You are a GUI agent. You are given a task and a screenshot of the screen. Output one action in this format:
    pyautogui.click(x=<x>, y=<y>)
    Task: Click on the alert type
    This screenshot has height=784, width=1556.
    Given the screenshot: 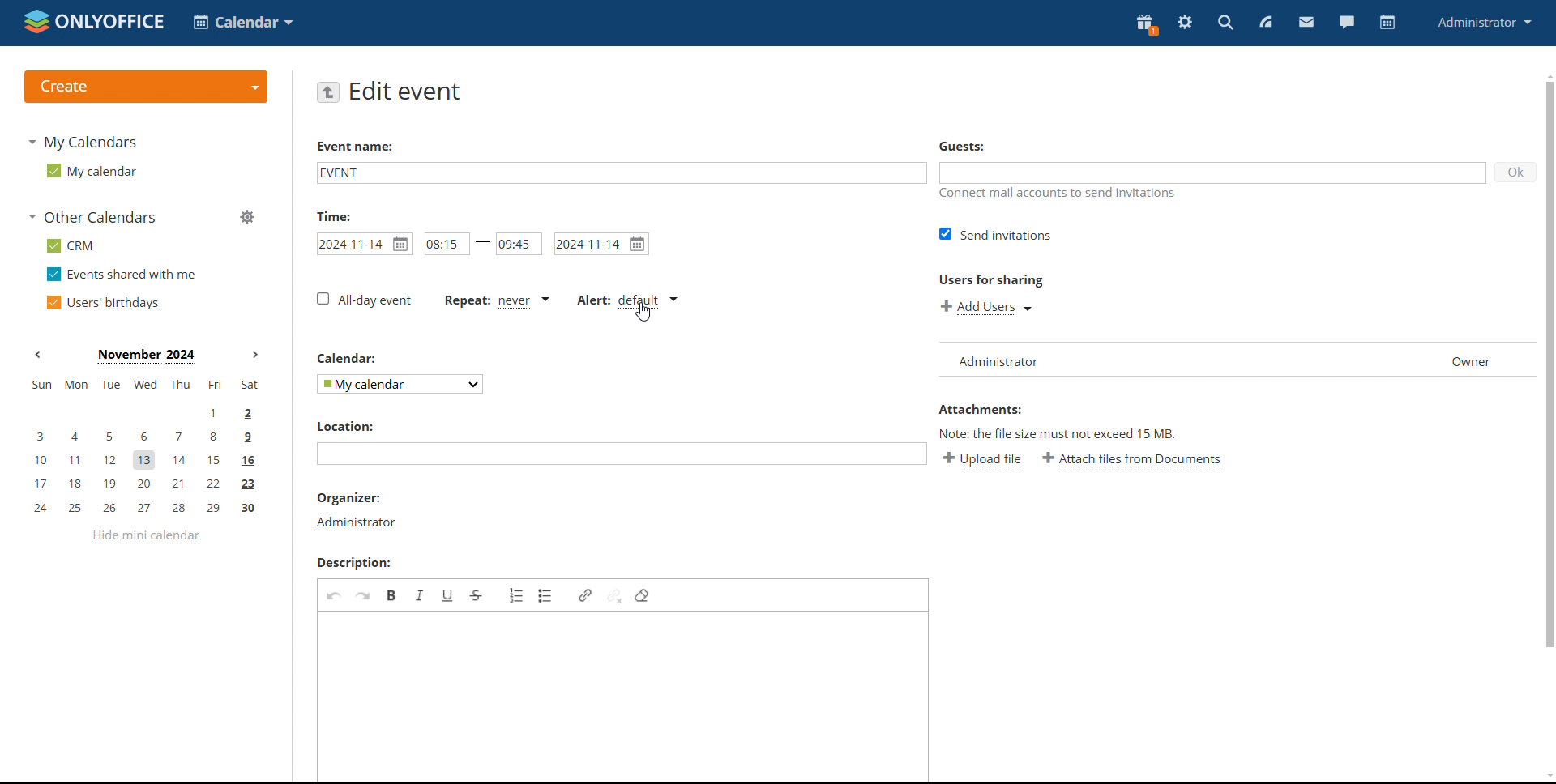 What is the action you would take?
    pyautogui.click(x=626, y=300)
    